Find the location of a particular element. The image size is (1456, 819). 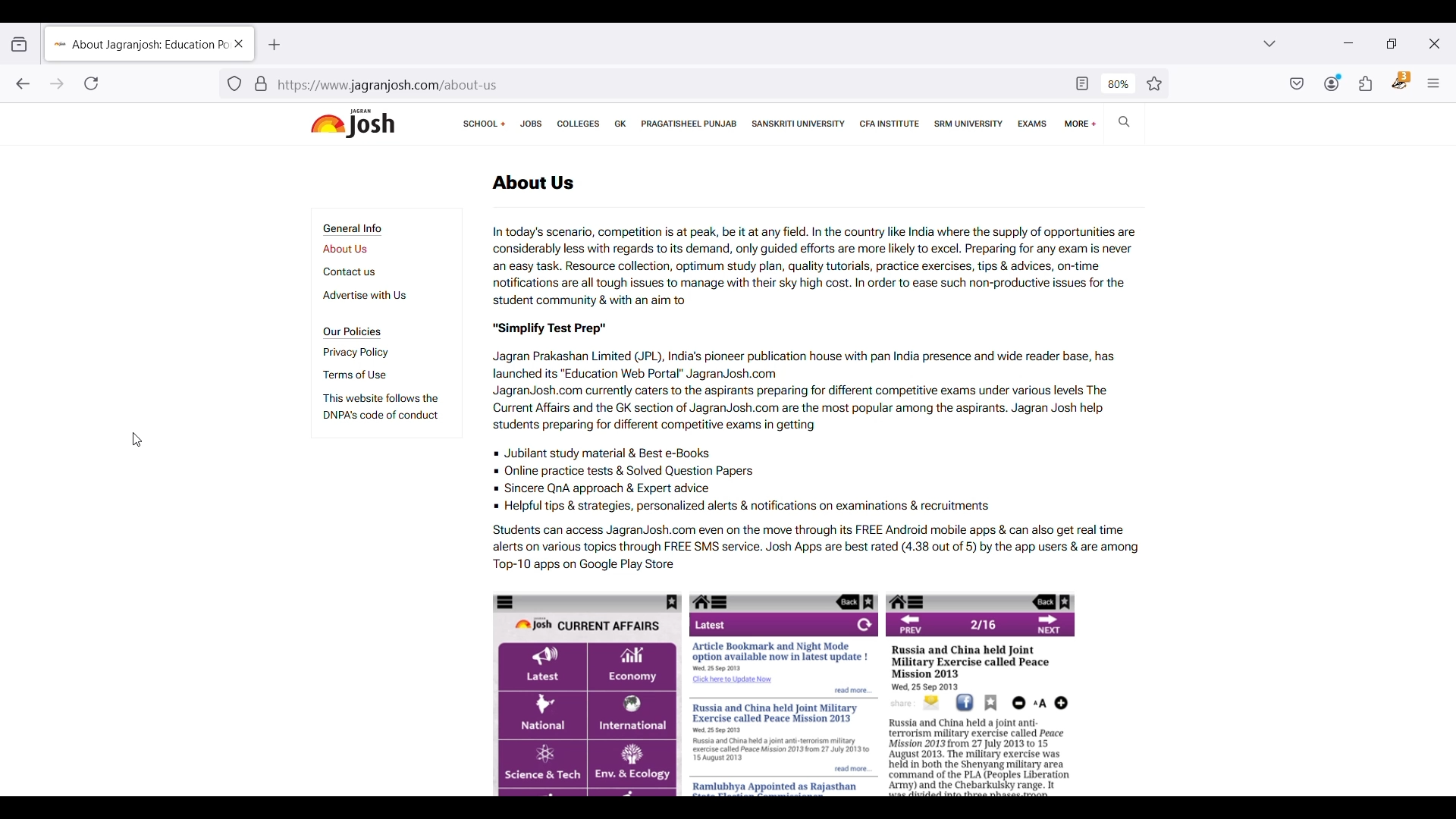

Jagran Prakashan Limited (JPL), India’s pioneer publication house with pan India presence and wide reader base, has
launched its “Education Web Portal” JagranJosh.com

JagranJosh.com currently caters to the aspirants preparing for different competitive exams under various levels The
Current Affairs and the GK section of JagranJosh.com are the most popular among the aspirants. Jagran Josh help
students preparing for different competitive exams in getting is located at coordinates (814, 393).